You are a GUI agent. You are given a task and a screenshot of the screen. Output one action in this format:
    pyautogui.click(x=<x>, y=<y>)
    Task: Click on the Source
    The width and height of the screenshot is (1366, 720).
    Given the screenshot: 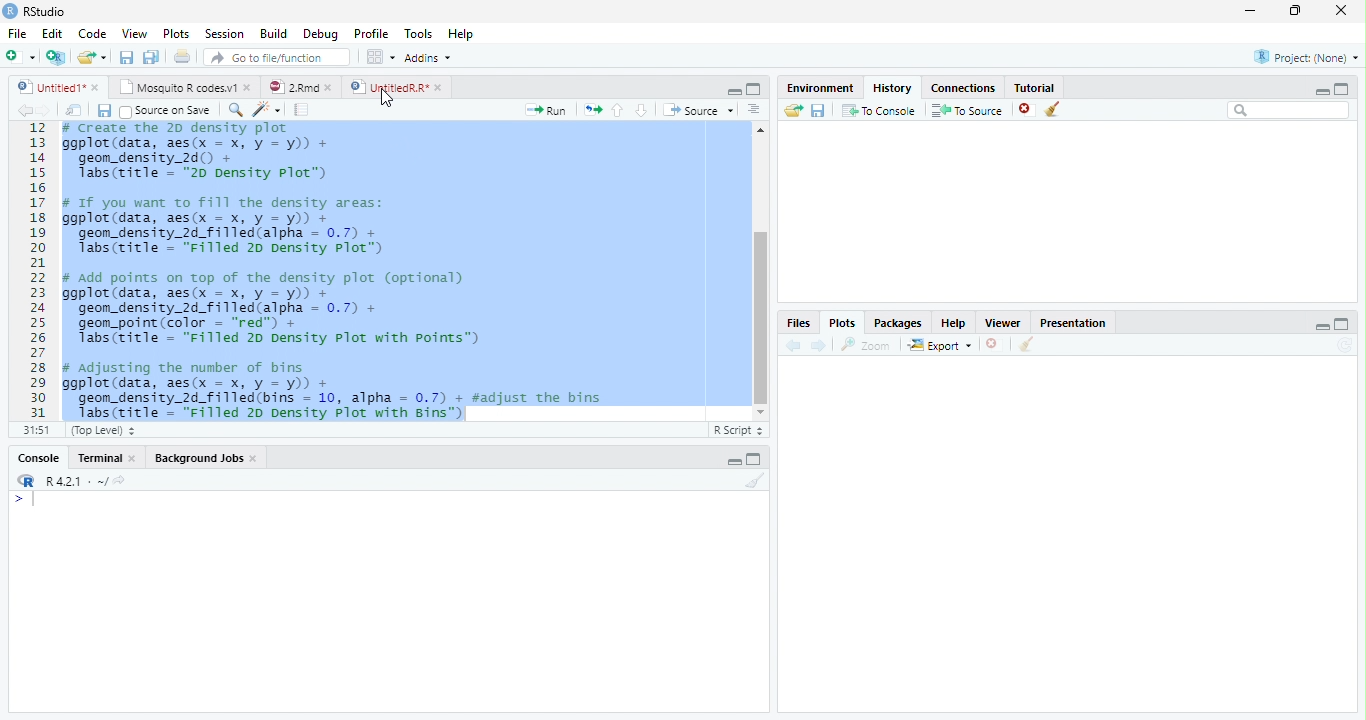 What is the action you would take?
    pyautogui.click(x=698, y=110)
    